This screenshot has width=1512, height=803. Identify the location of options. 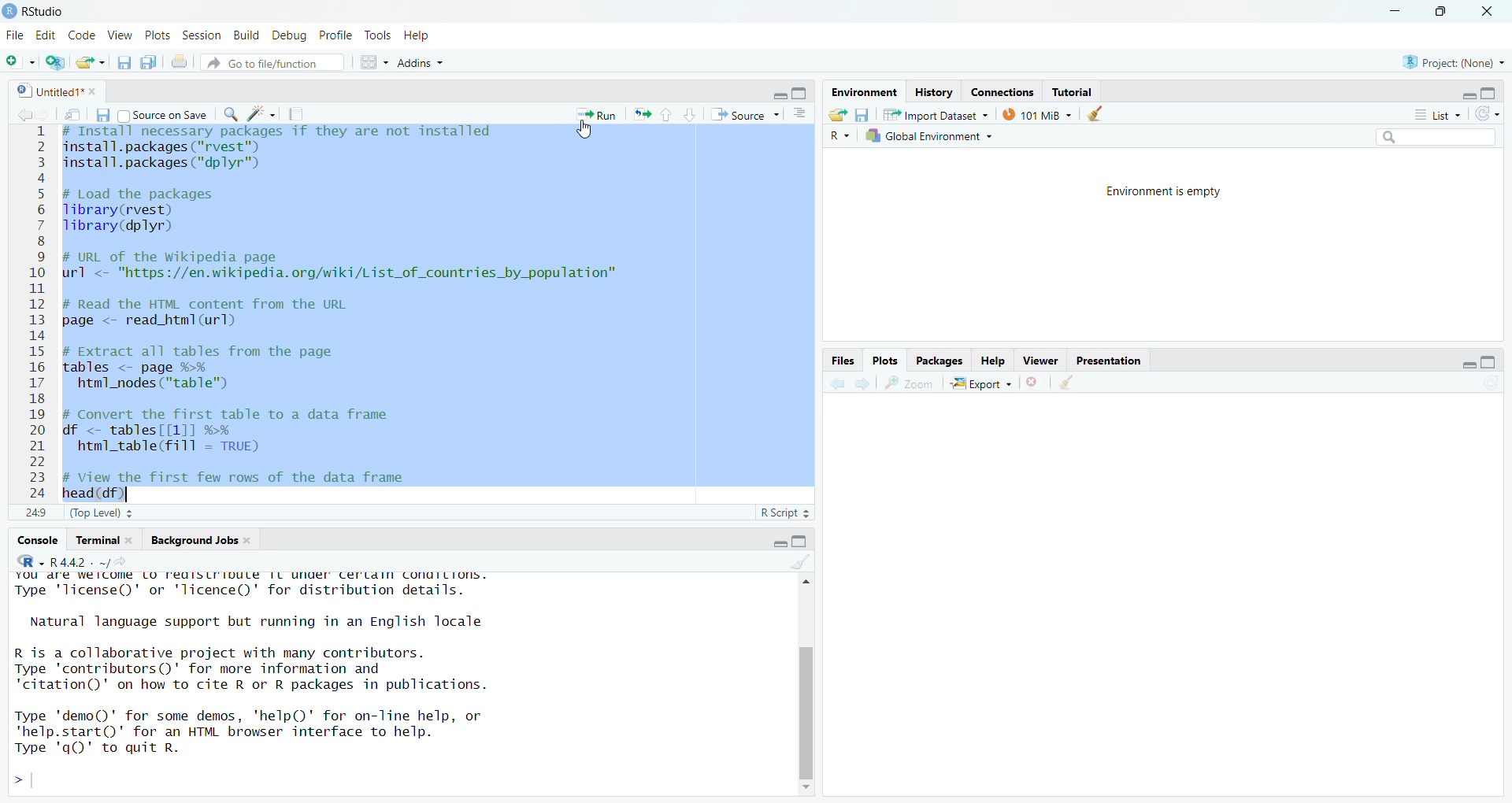
(376, 62).